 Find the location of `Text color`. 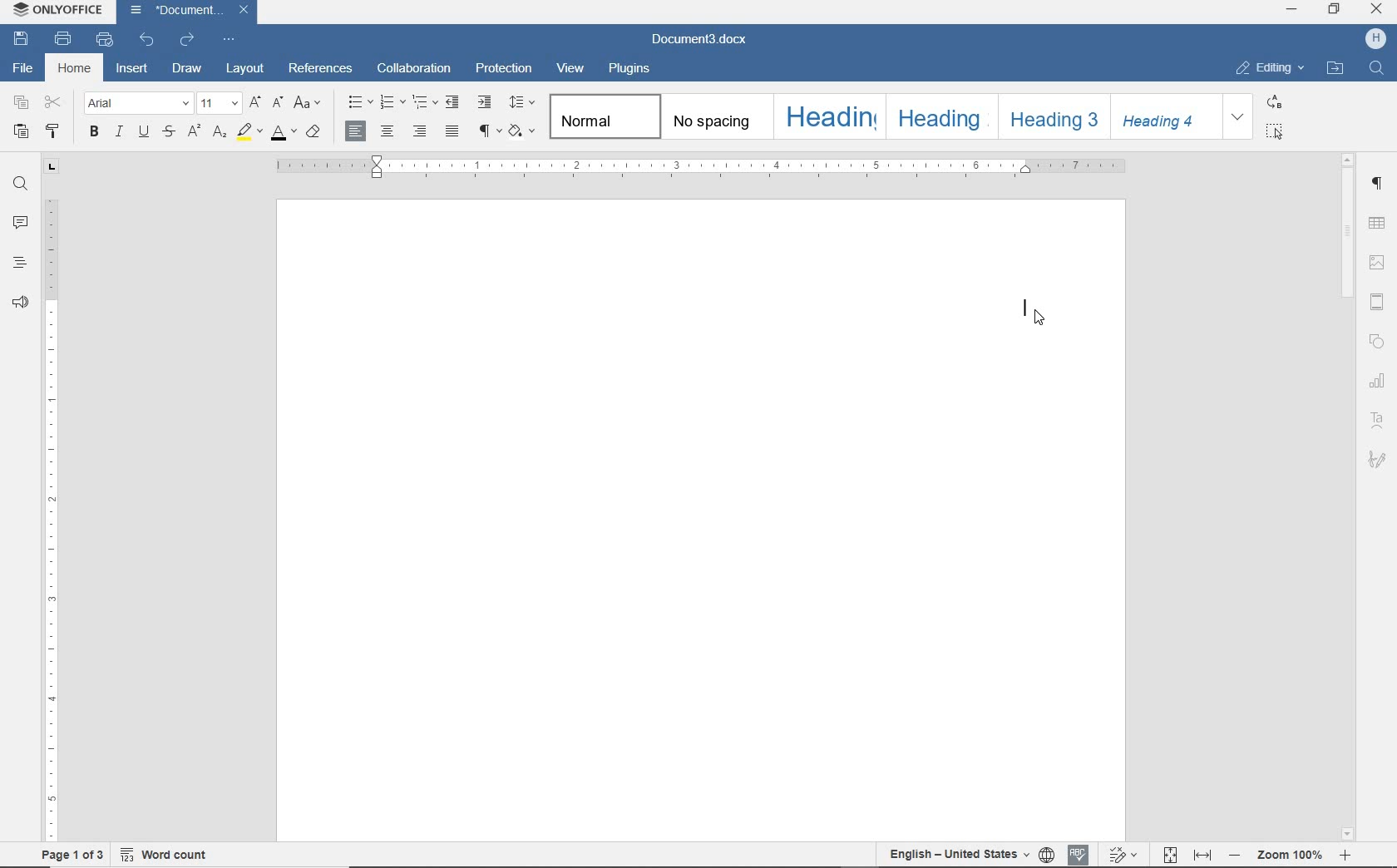

Text color is located at coordinates (283, 134).